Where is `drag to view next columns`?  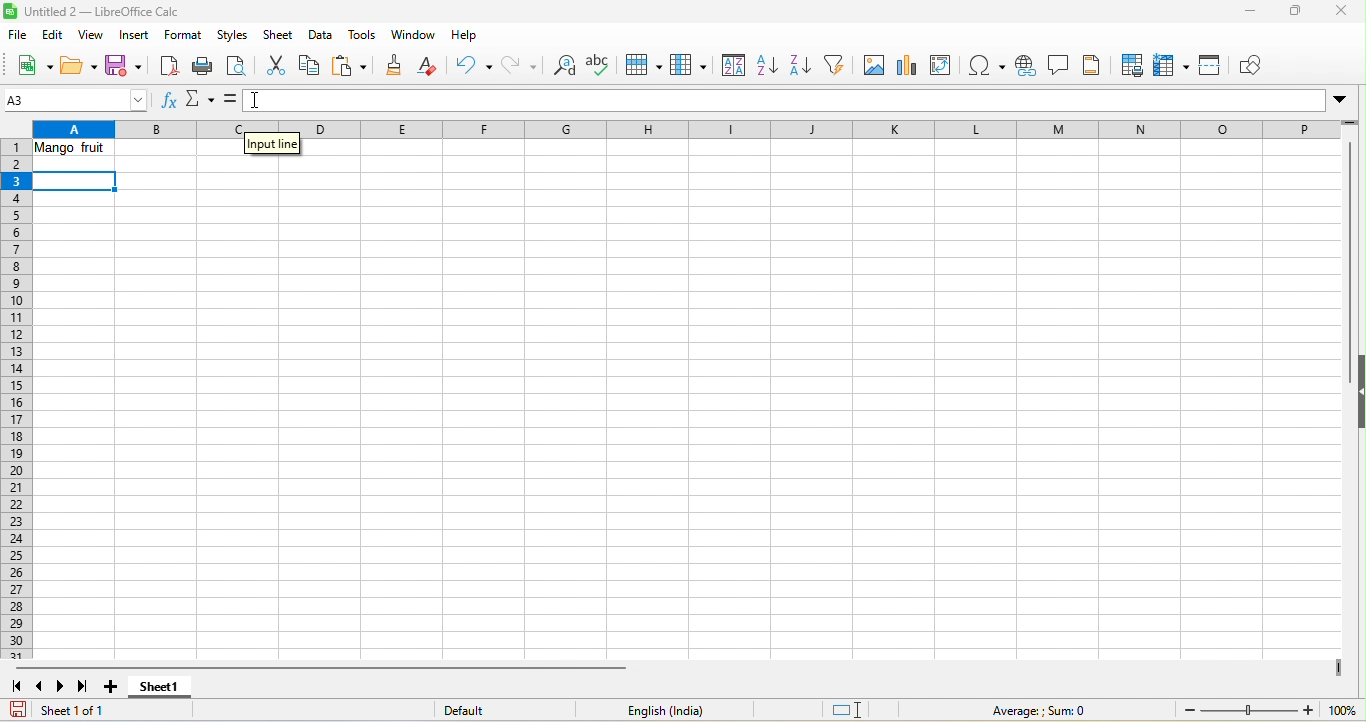
drag to view next columns is located at coordinates (1341, 668).